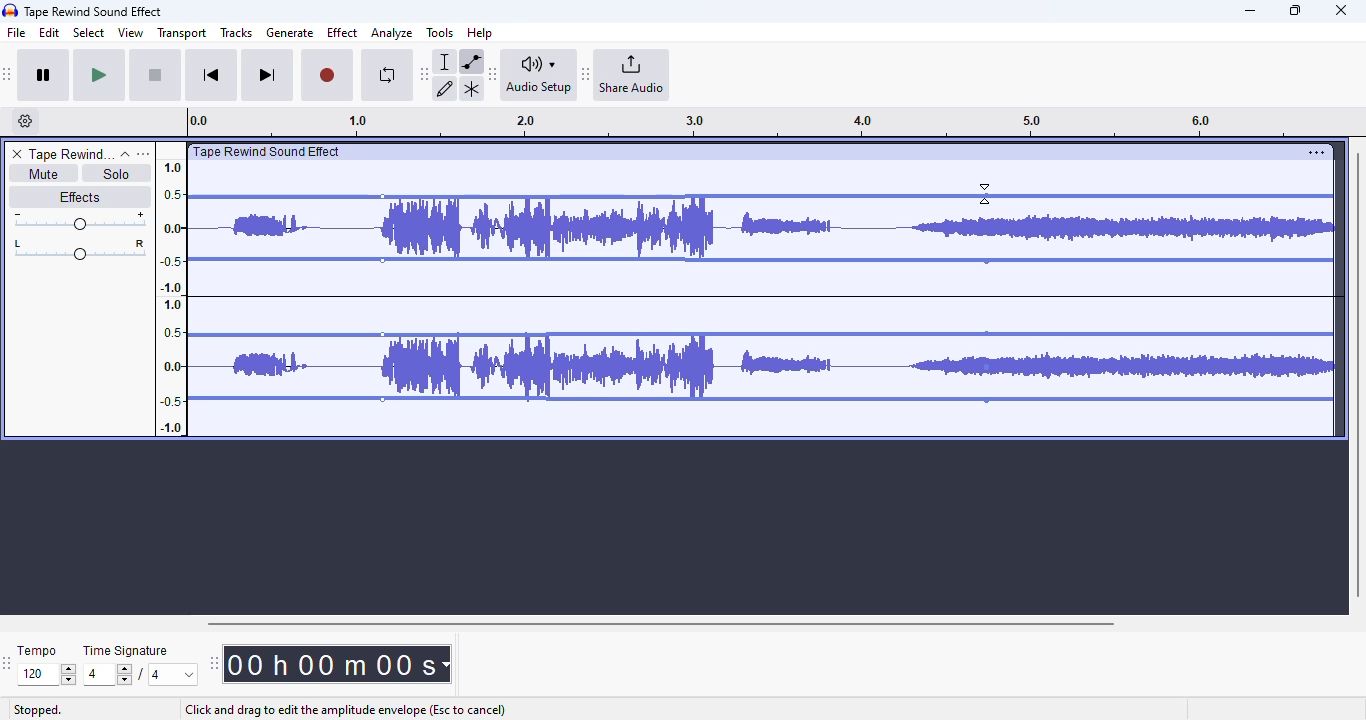  What do you see at coordinates (1341, 10) in the screenshot?
I see `close` at bounding box center [1341, 10].